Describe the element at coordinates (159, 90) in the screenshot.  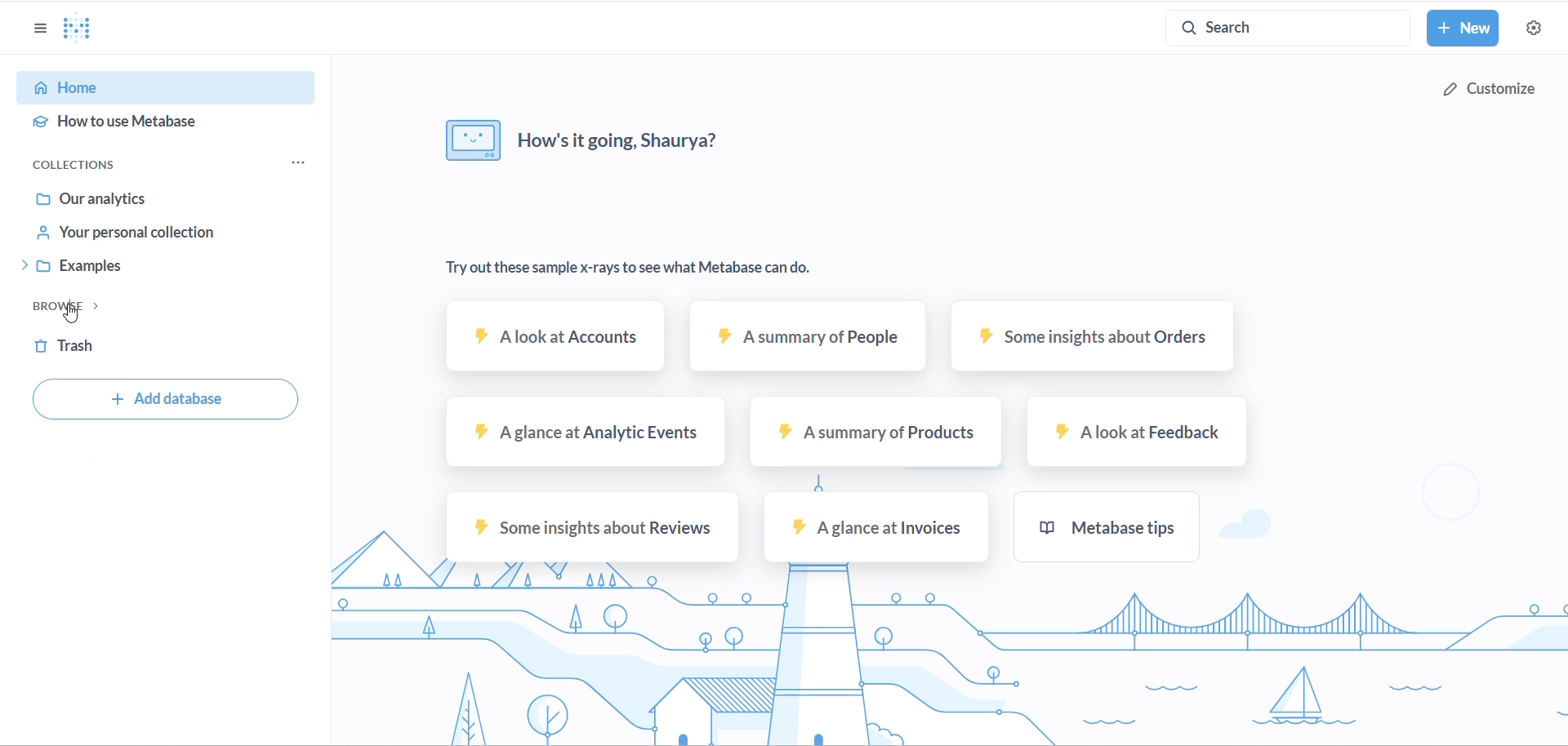
I see `HOME` at that location.